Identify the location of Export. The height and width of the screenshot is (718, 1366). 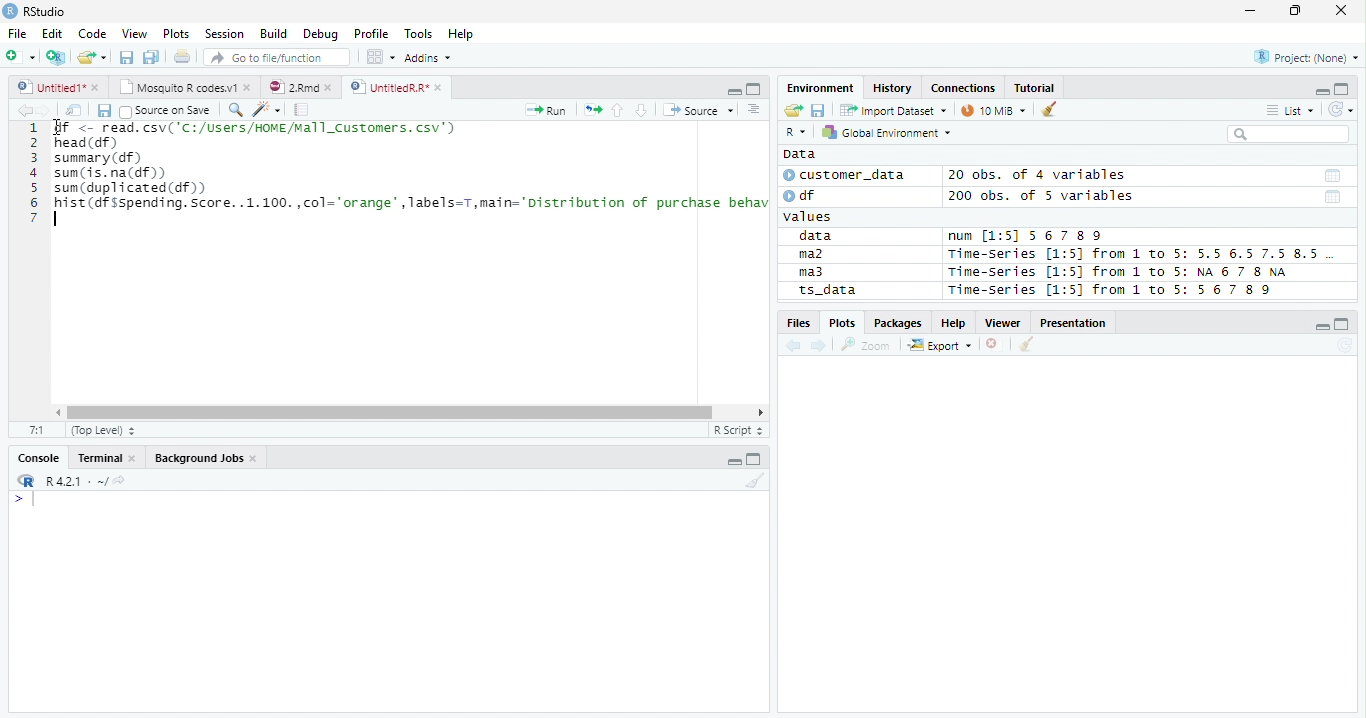
(940, 346).